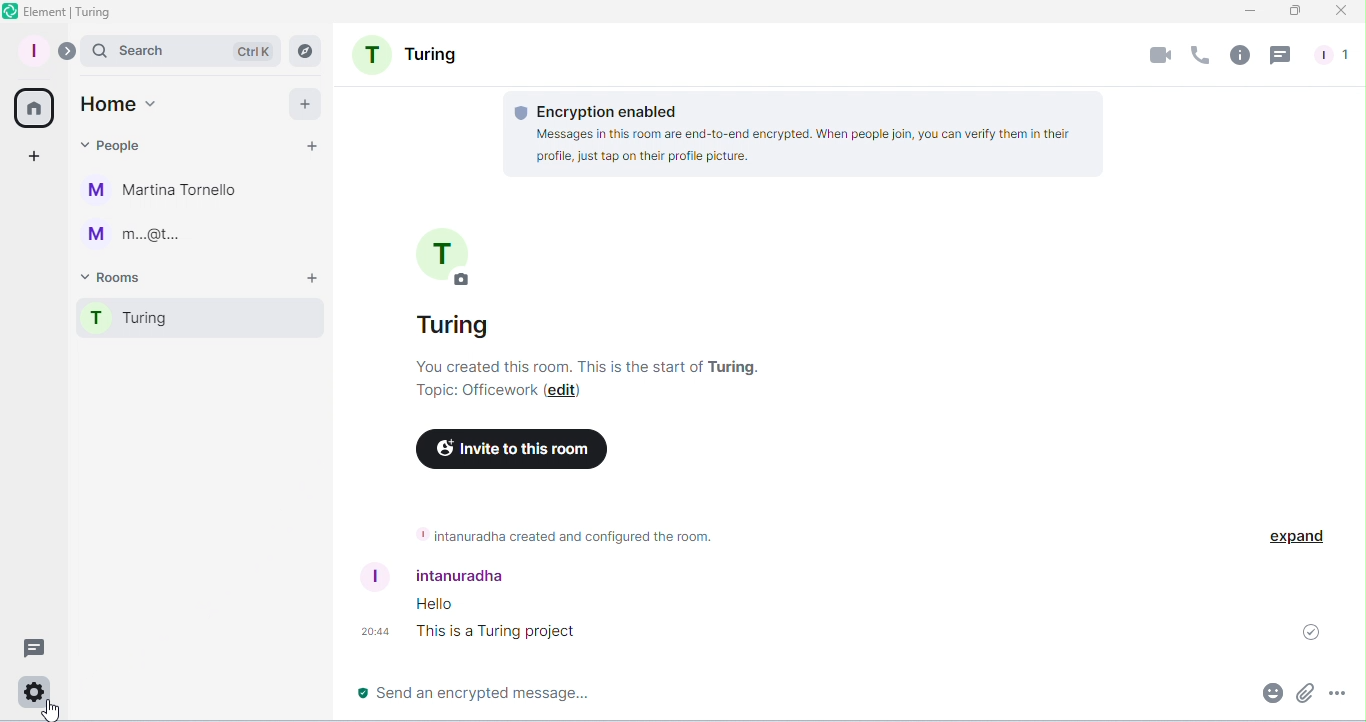 The width and height of the screenshot is (1366, 722). Describe the element at coordinates (1319, 629) in the screenshot. I see `Message sent` at that location.